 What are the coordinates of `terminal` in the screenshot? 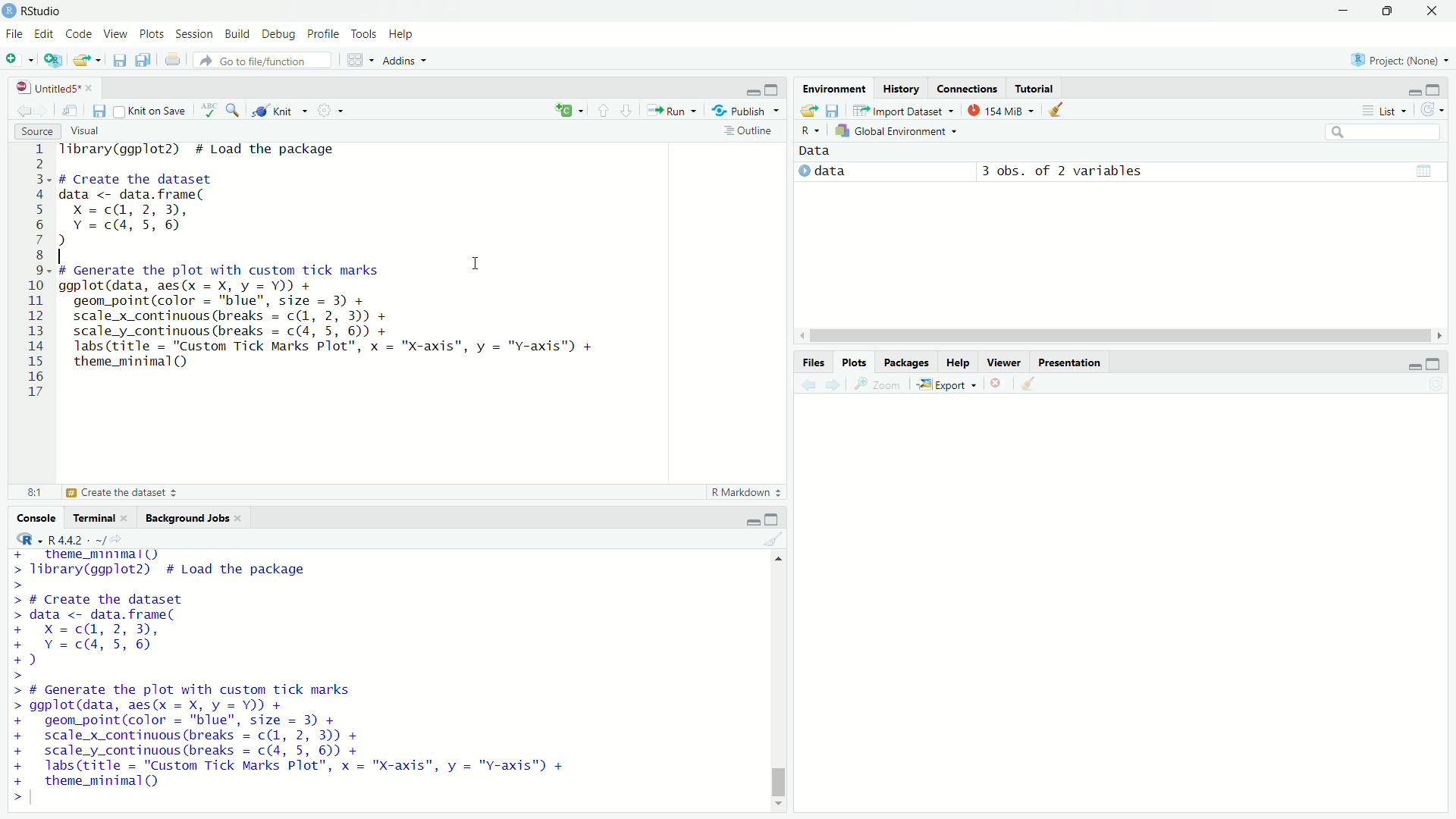 It's located at (93, 518).